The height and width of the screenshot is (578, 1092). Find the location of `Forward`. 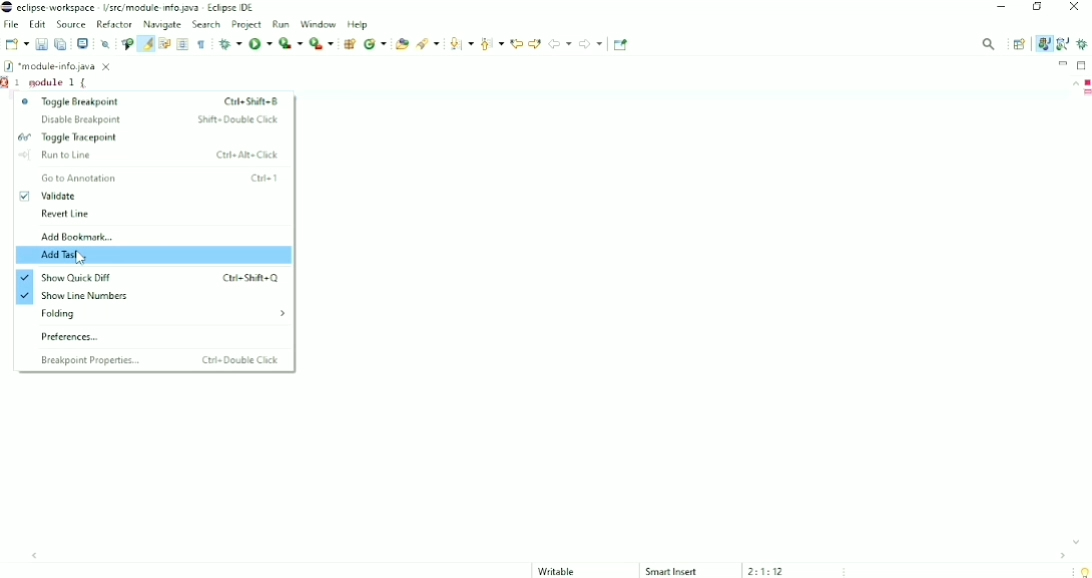

Forward is located at coordinates (591, 44).